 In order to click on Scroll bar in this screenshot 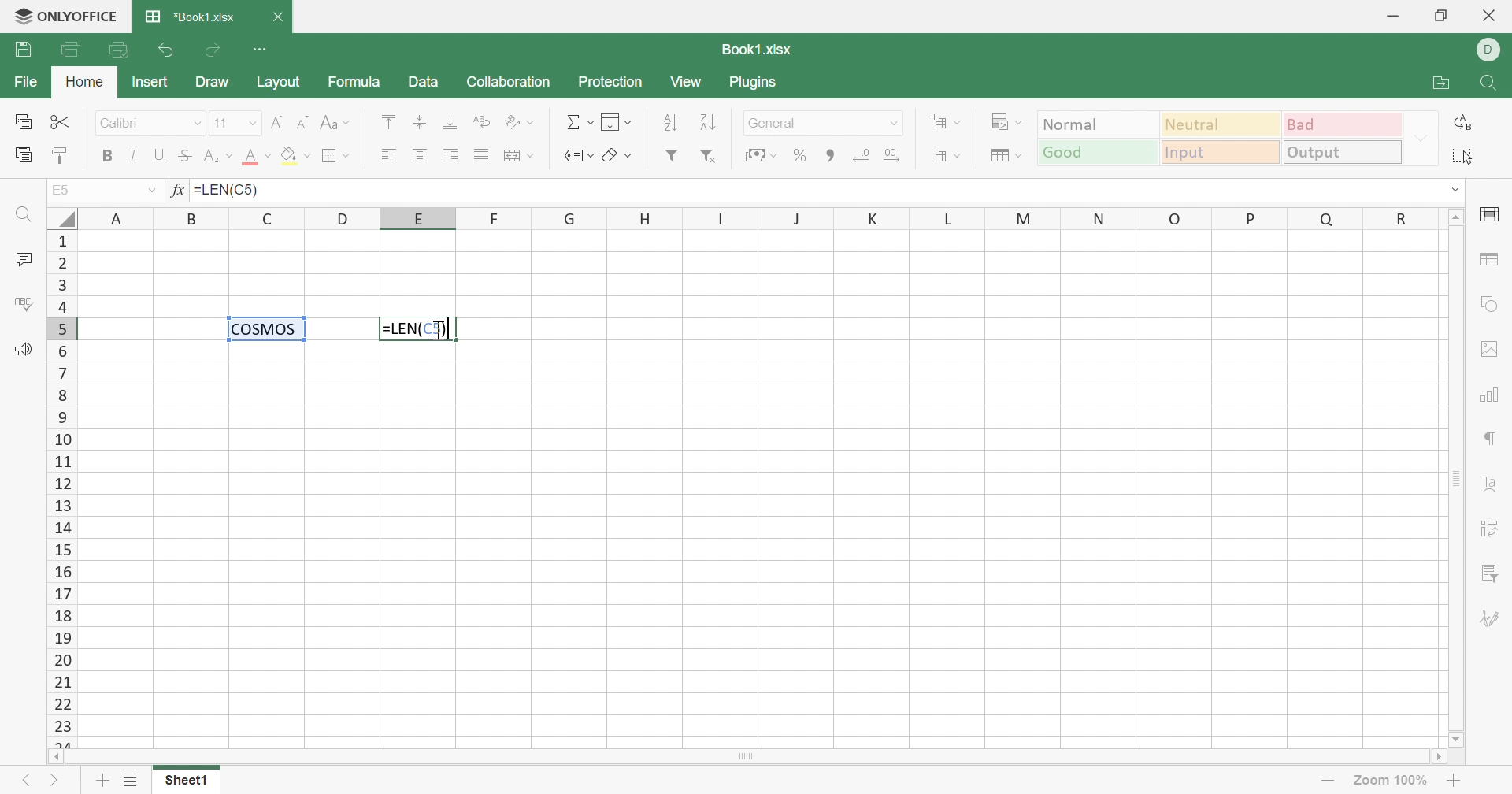, I will do `click(746, 757)`.